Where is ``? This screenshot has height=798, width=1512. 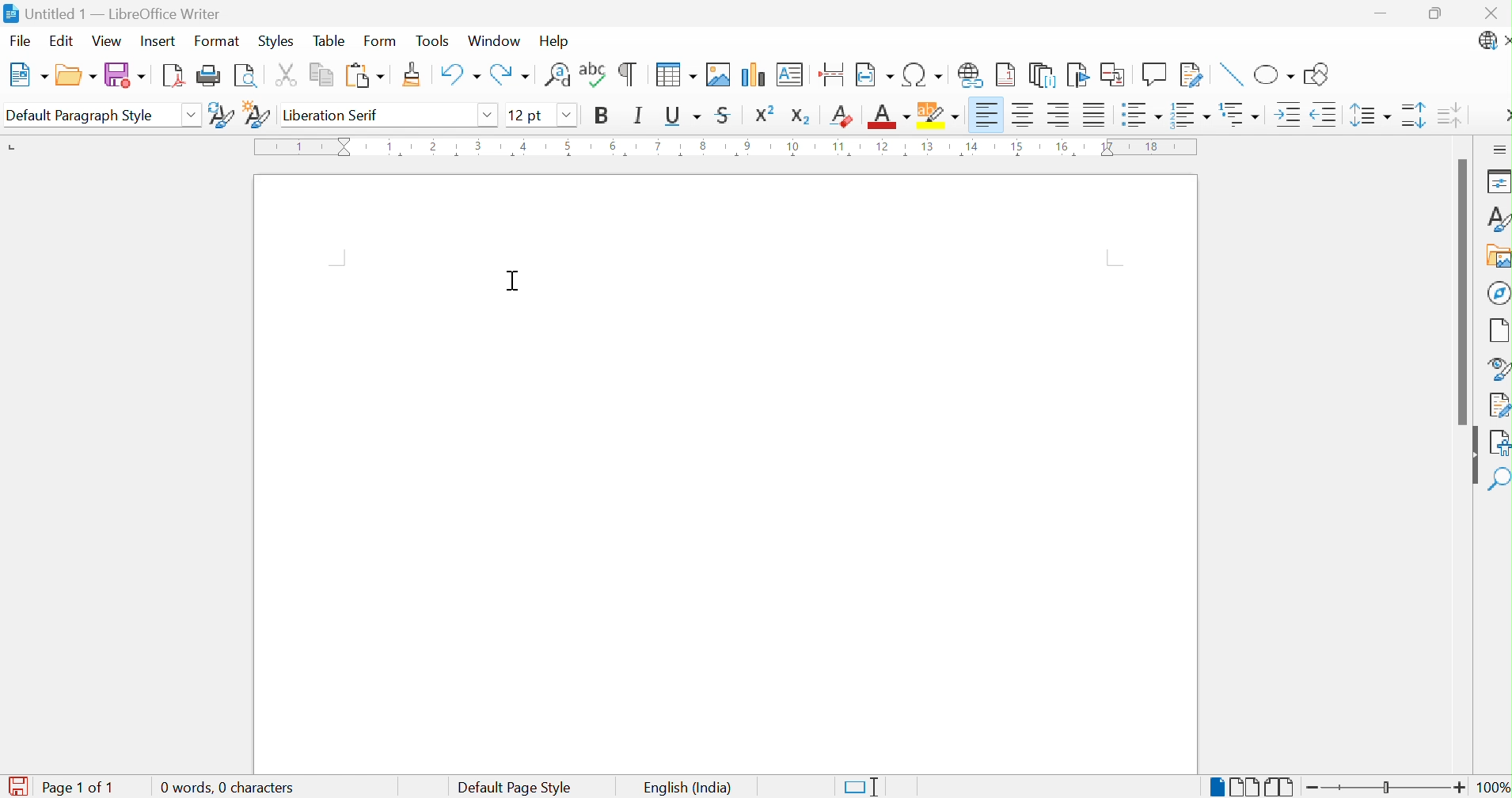
 is located at coordinates (508, 74).